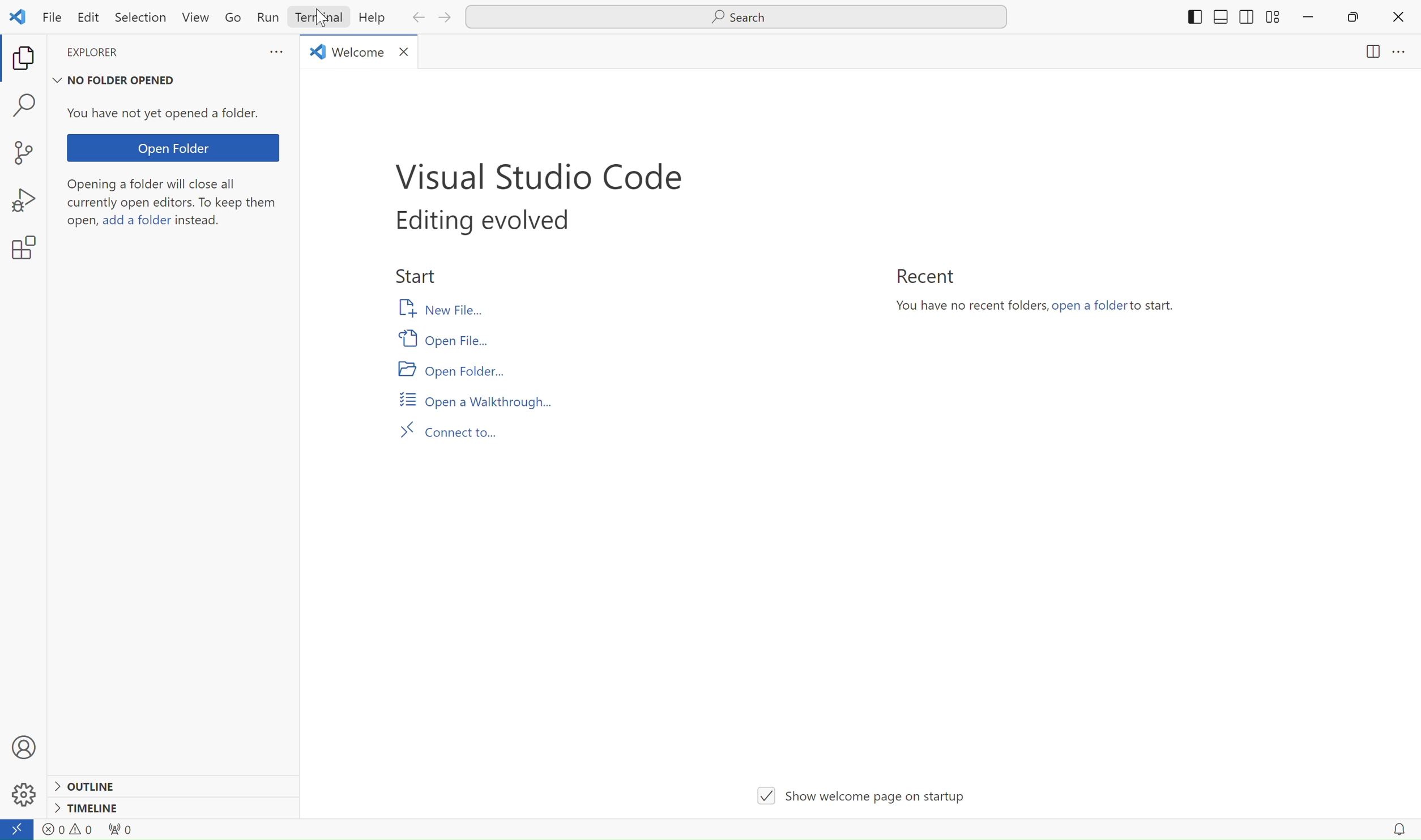 This screenshot has width=1421, height=840. I want to click on profile, so click(25, 743).